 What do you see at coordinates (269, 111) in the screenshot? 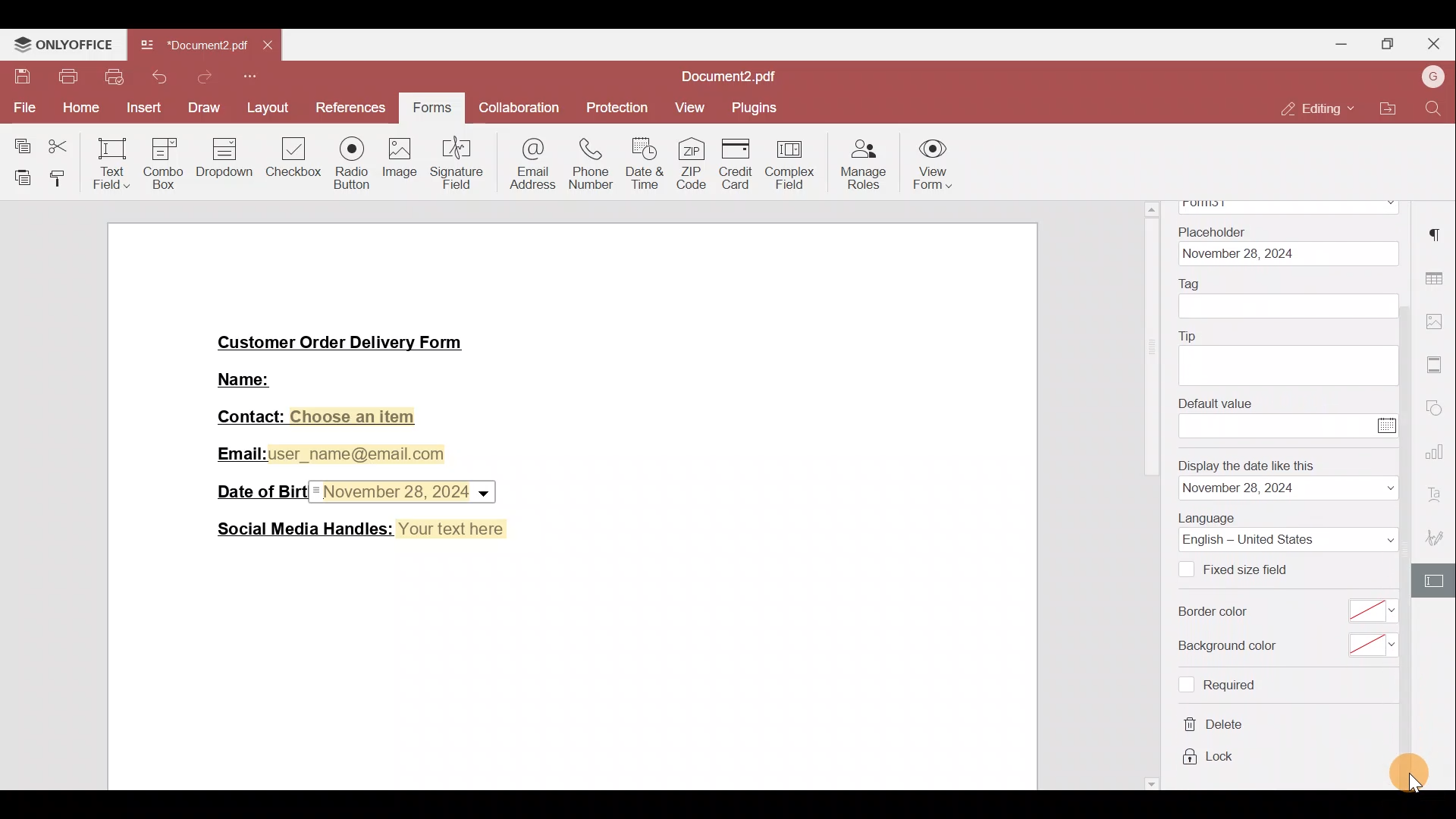
I see `Layout` at bounding box center [269, 111].